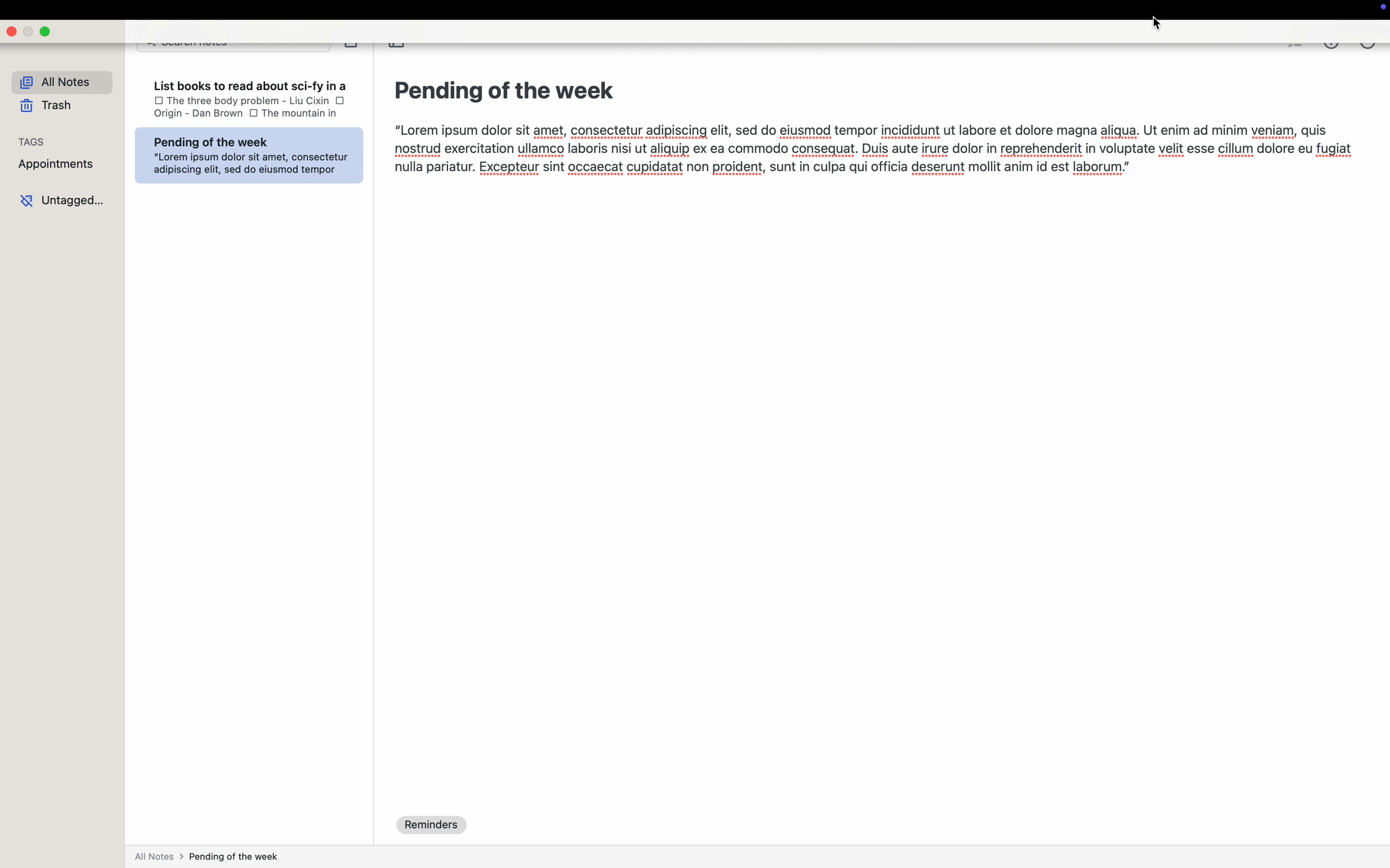 The image size is (1390, 868). What do you see at coordinates (64, 201) in the screenshot?
I see `untagged` at bounding box center [64, 201].